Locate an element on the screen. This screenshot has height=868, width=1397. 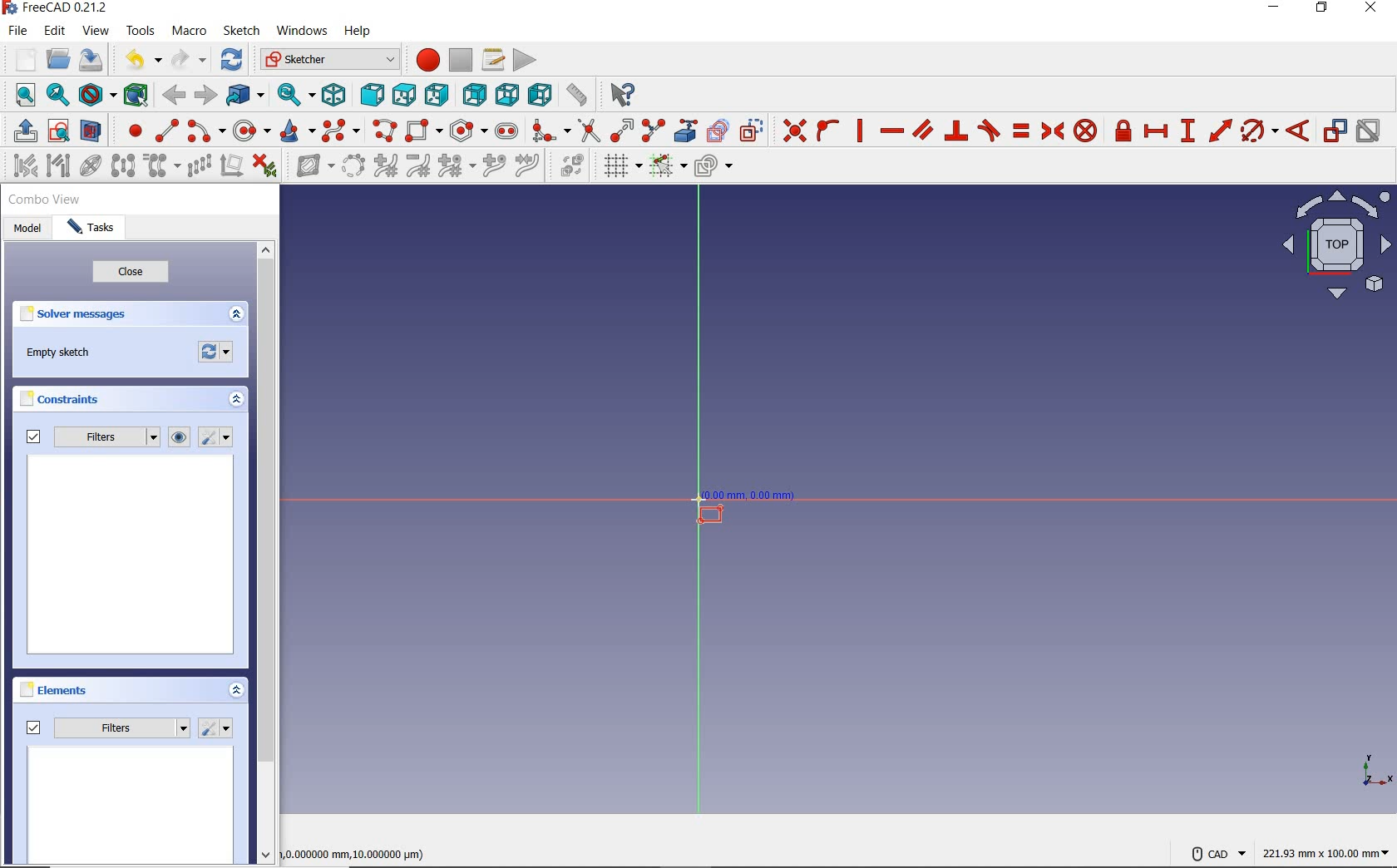
combo view is located at coordinates (45, 202).